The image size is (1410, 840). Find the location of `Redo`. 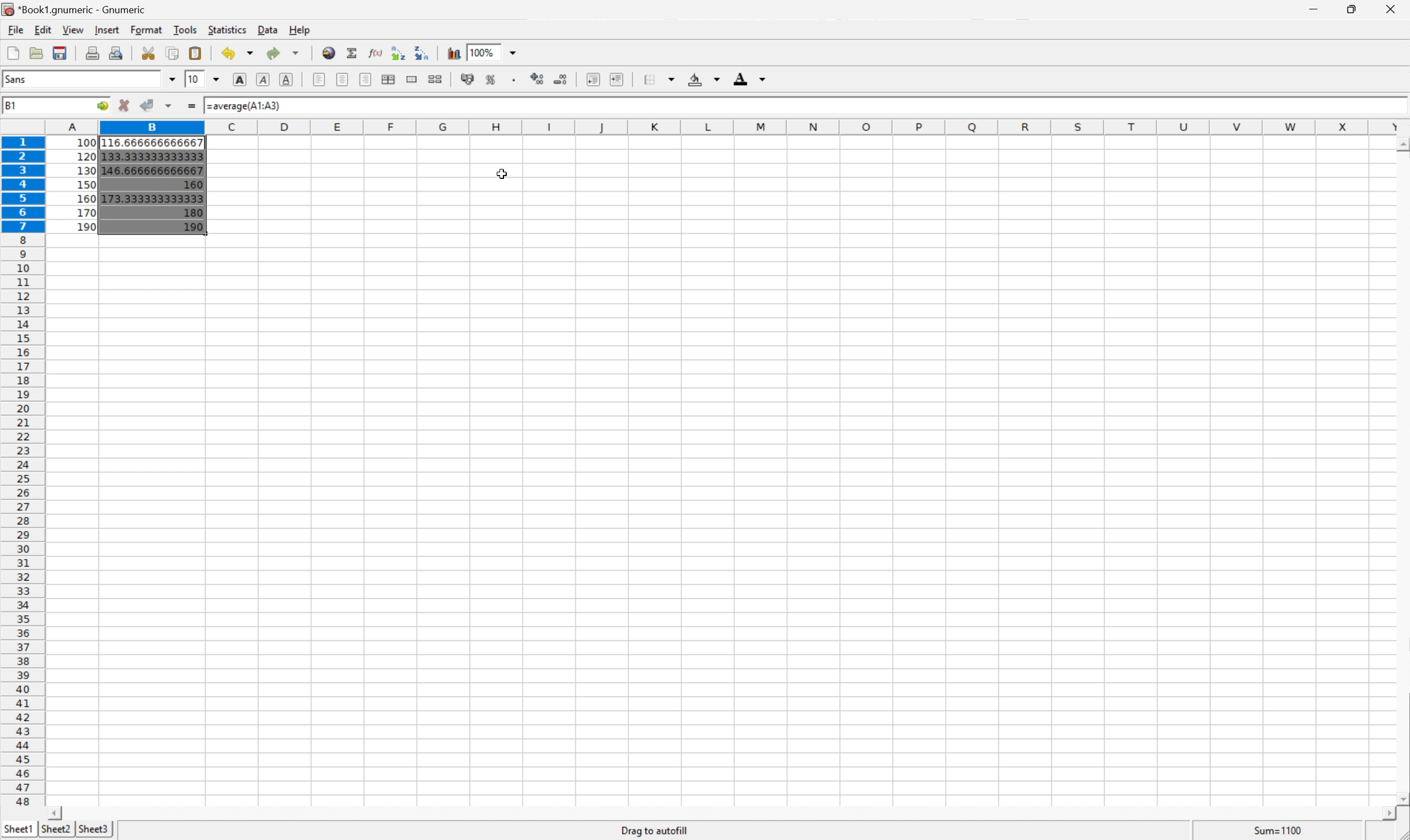

Redo is located at coordinates (280, 53).